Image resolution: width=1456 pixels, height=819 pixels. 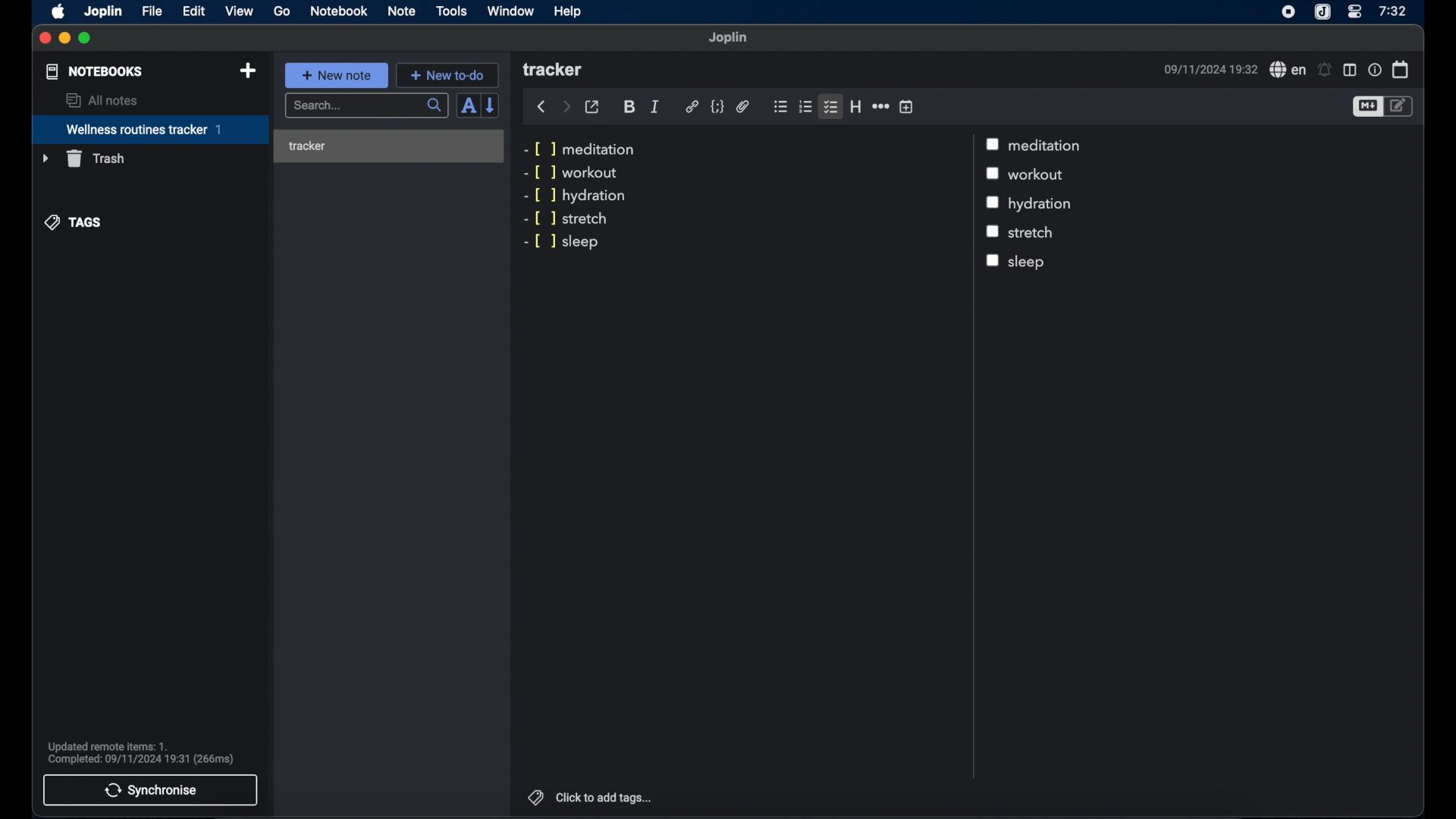 I want to click on spell check, so click(x=1285, y=69).